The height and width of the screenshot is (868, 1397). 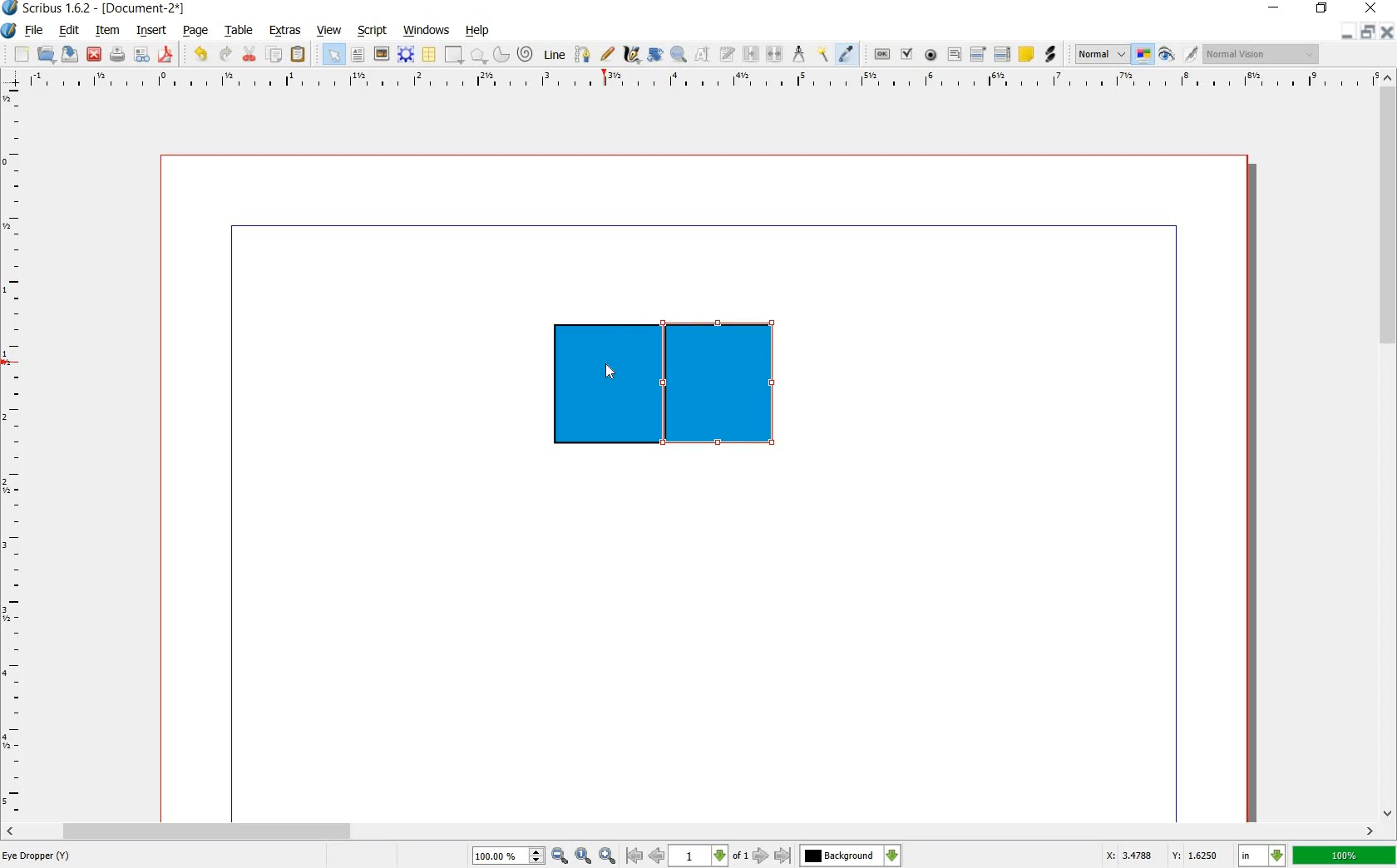 What do you see at coordinates (33, 30) in the screenshot?
I see `file` at bounding box center [33, 30].